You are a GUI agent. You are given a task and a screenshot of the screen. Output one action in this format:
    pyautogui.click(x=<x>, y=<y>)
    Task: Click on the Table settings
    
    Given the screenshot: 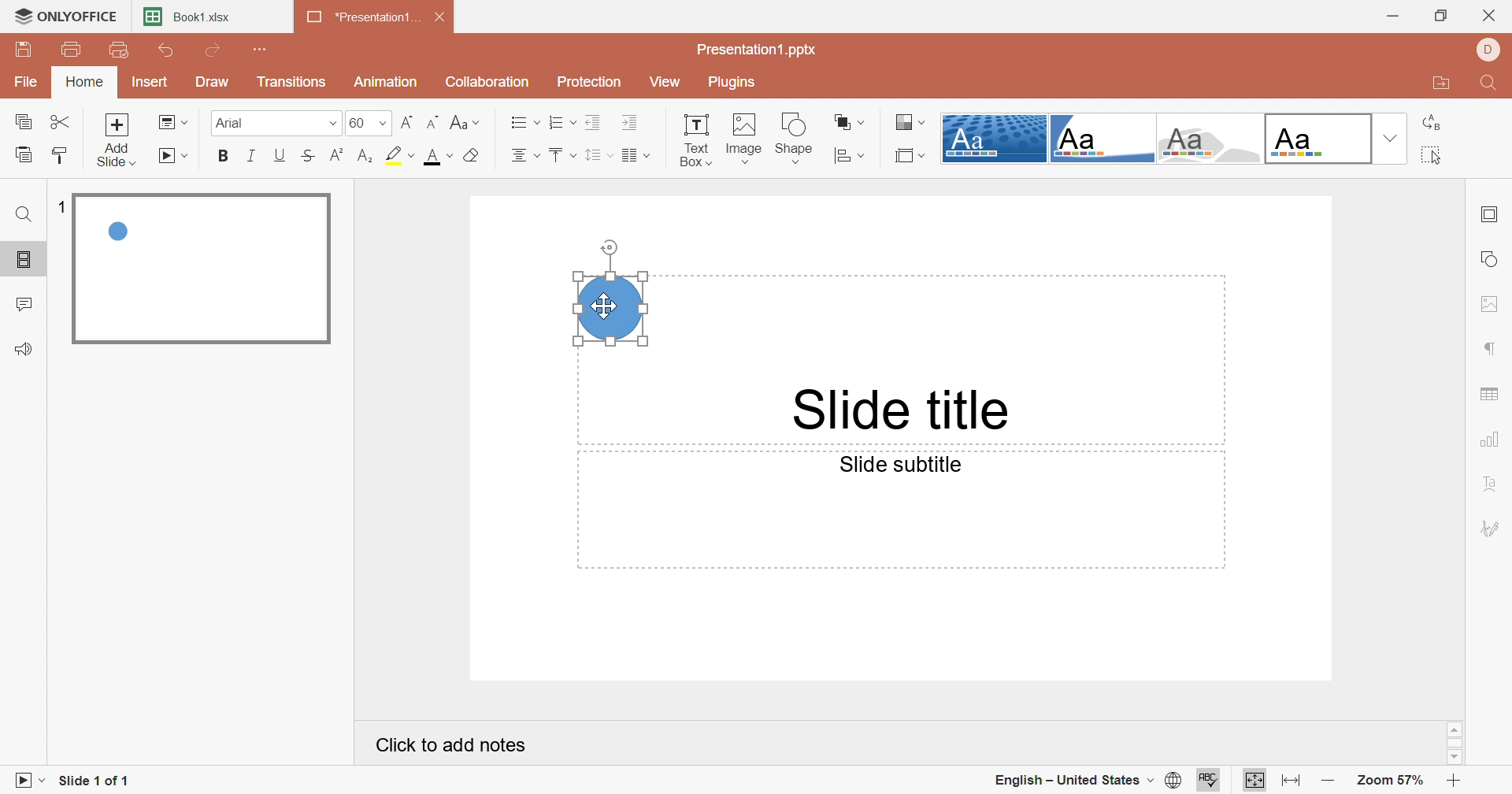 What is the action you would take?
    pyautogui.click(x=1494, y=390)
    